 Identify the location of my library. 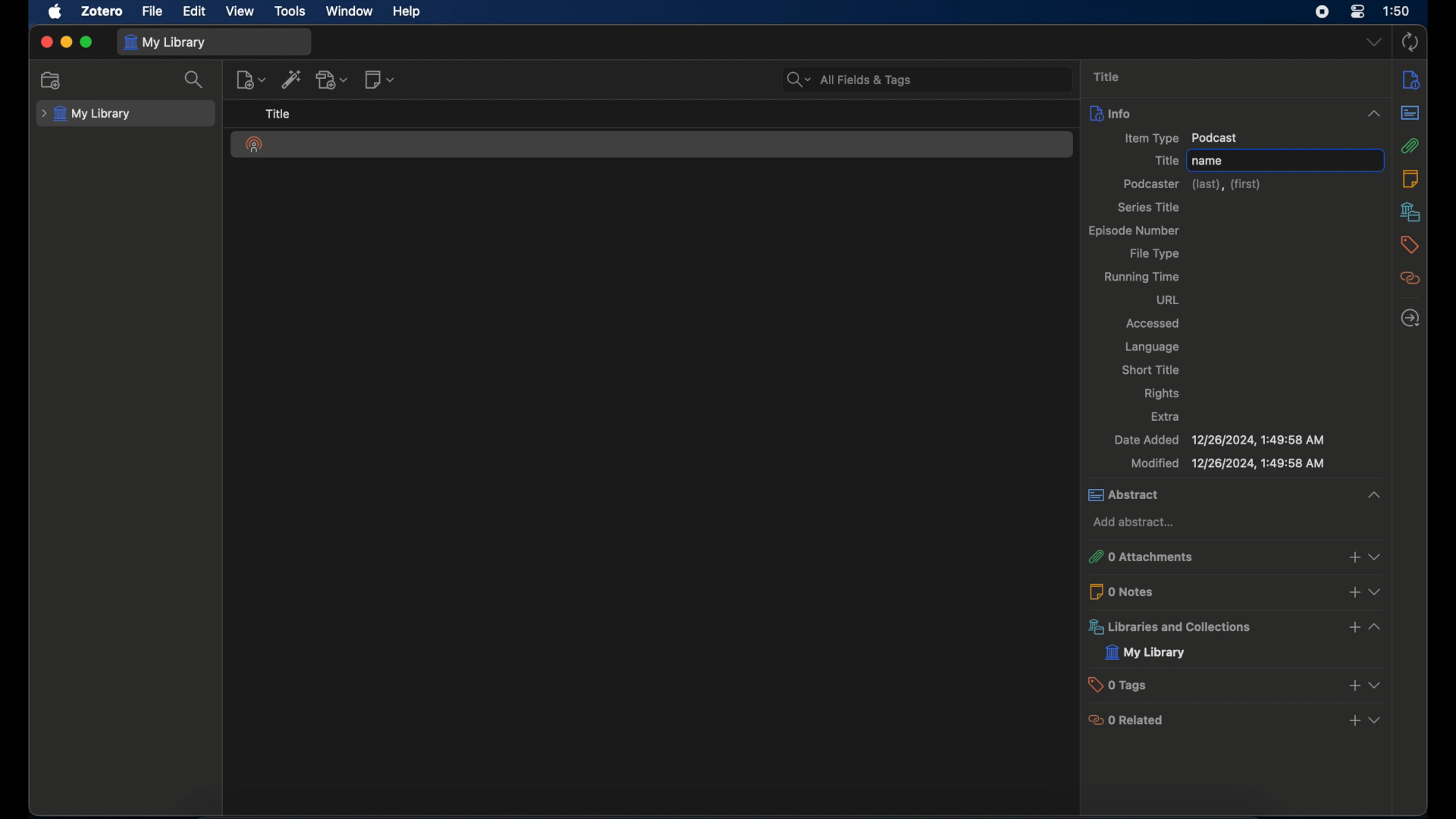
(1146, 653).